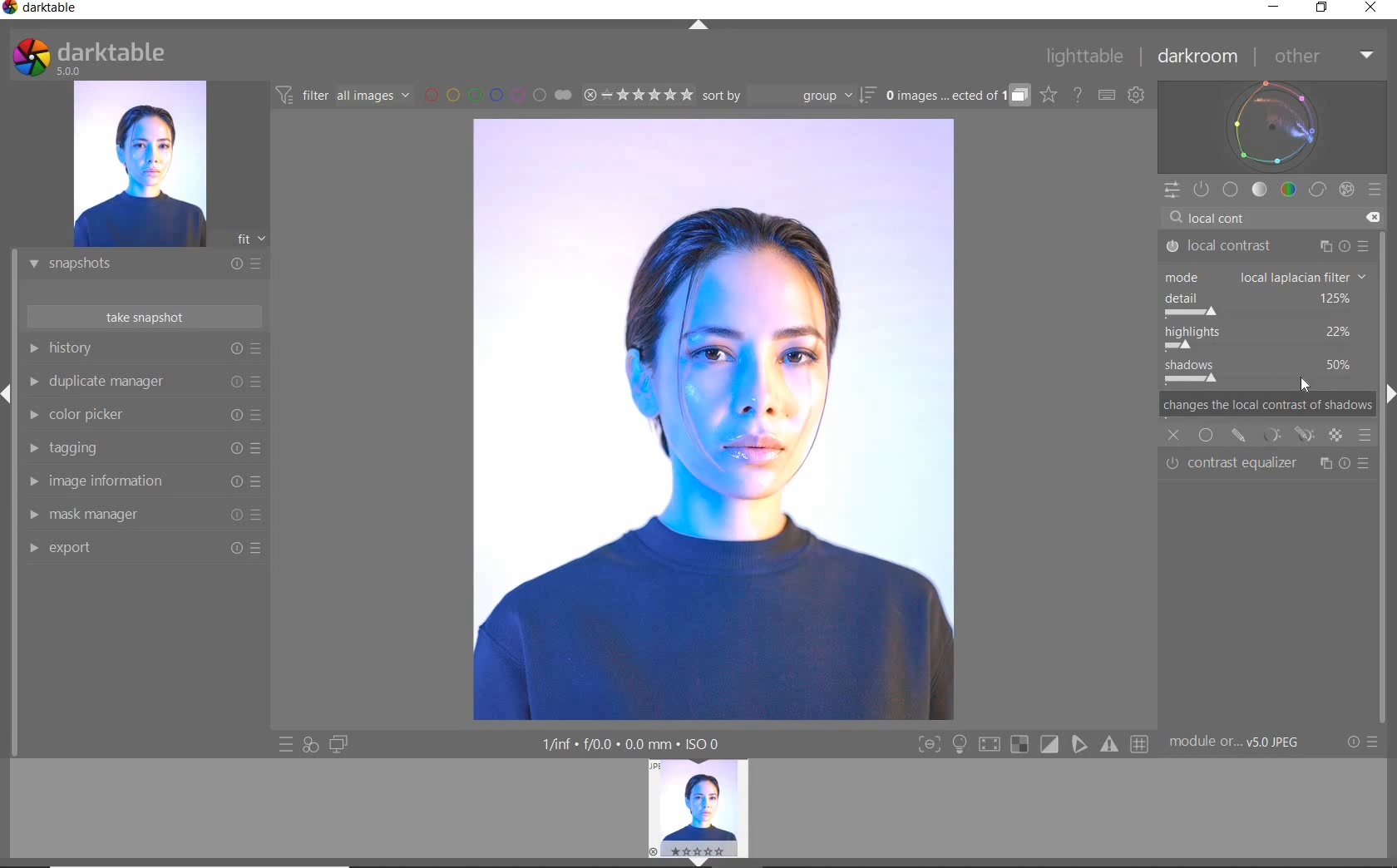 The height and width of the screenshot is (868, 1397). Describe the element at coordinates (1111, 744) in the screenshot. I see `Button` at that location.